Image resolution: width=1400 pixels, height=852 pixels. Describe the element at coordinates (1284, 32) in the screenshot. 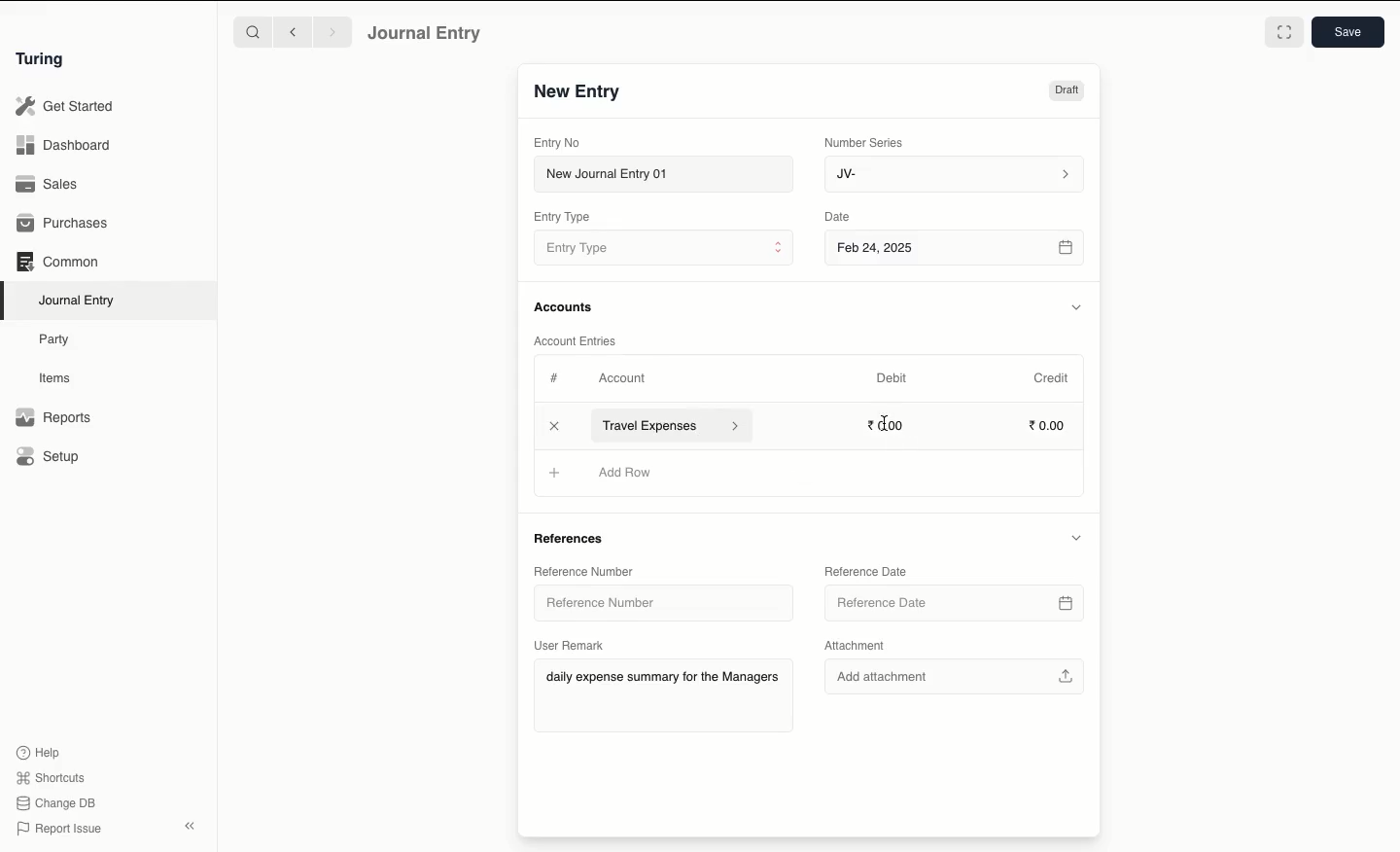

I see `Toggle between form and full width` at that location.